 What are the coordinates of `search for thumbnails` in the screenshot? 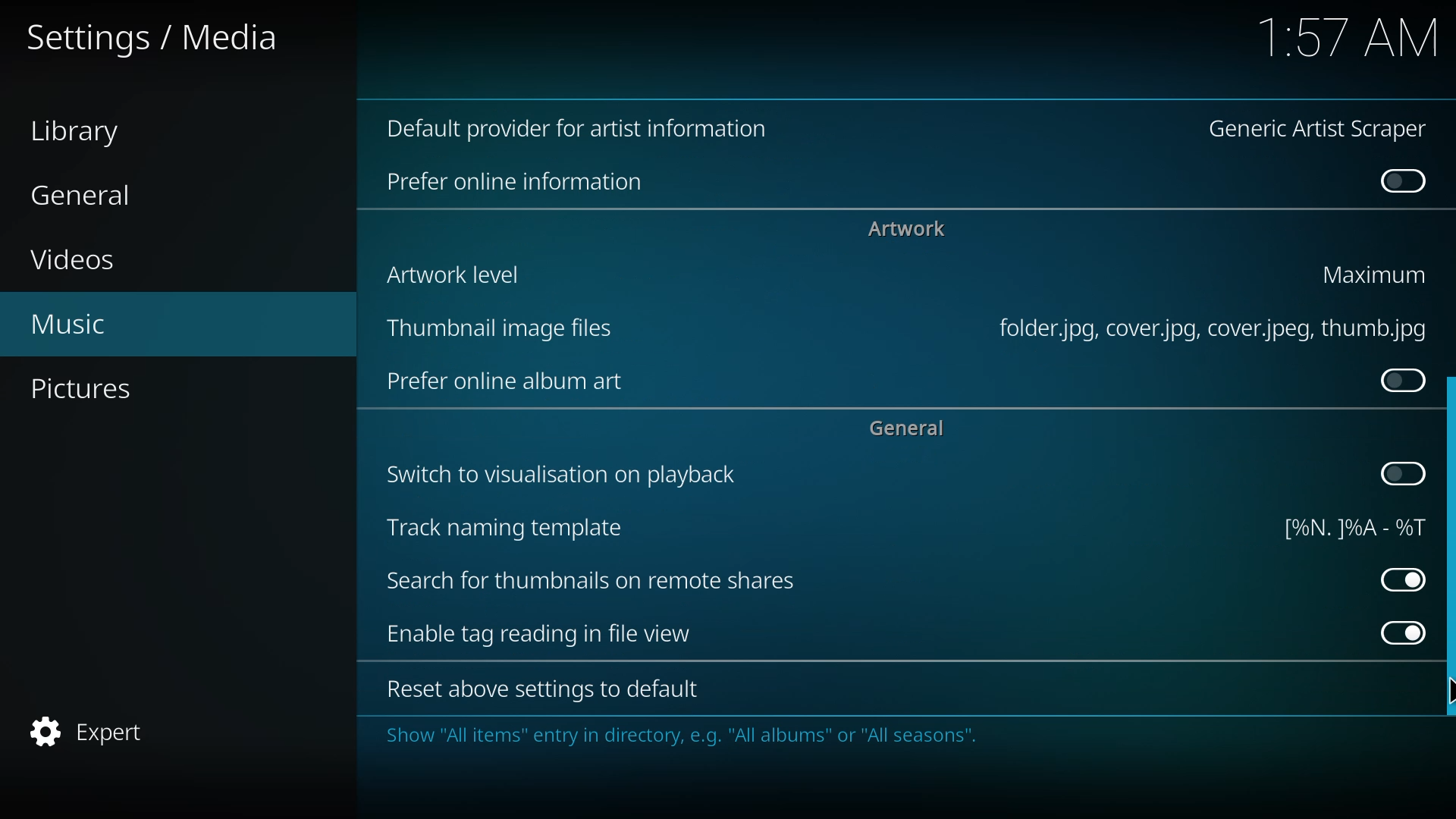 It's located at (589, 582).